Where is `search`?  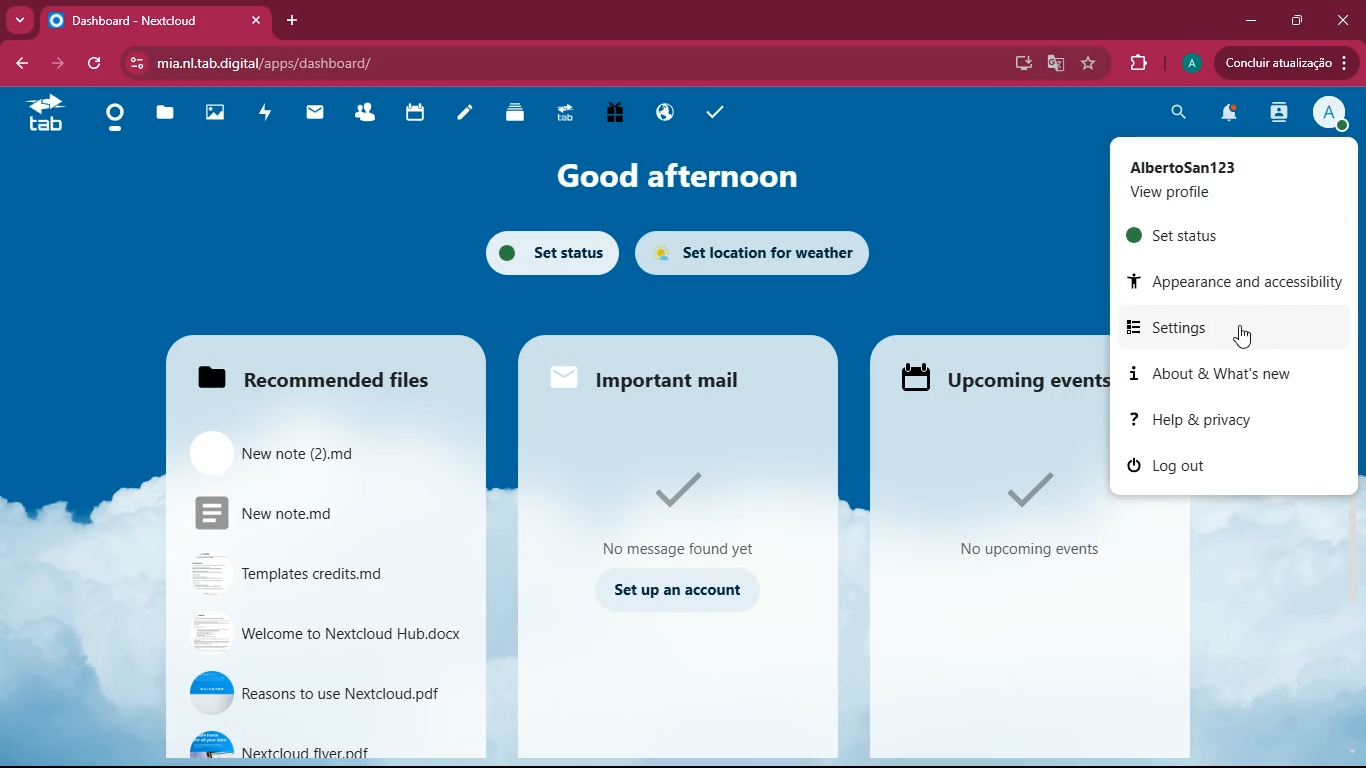 search is located at coordinates (1176, 114).